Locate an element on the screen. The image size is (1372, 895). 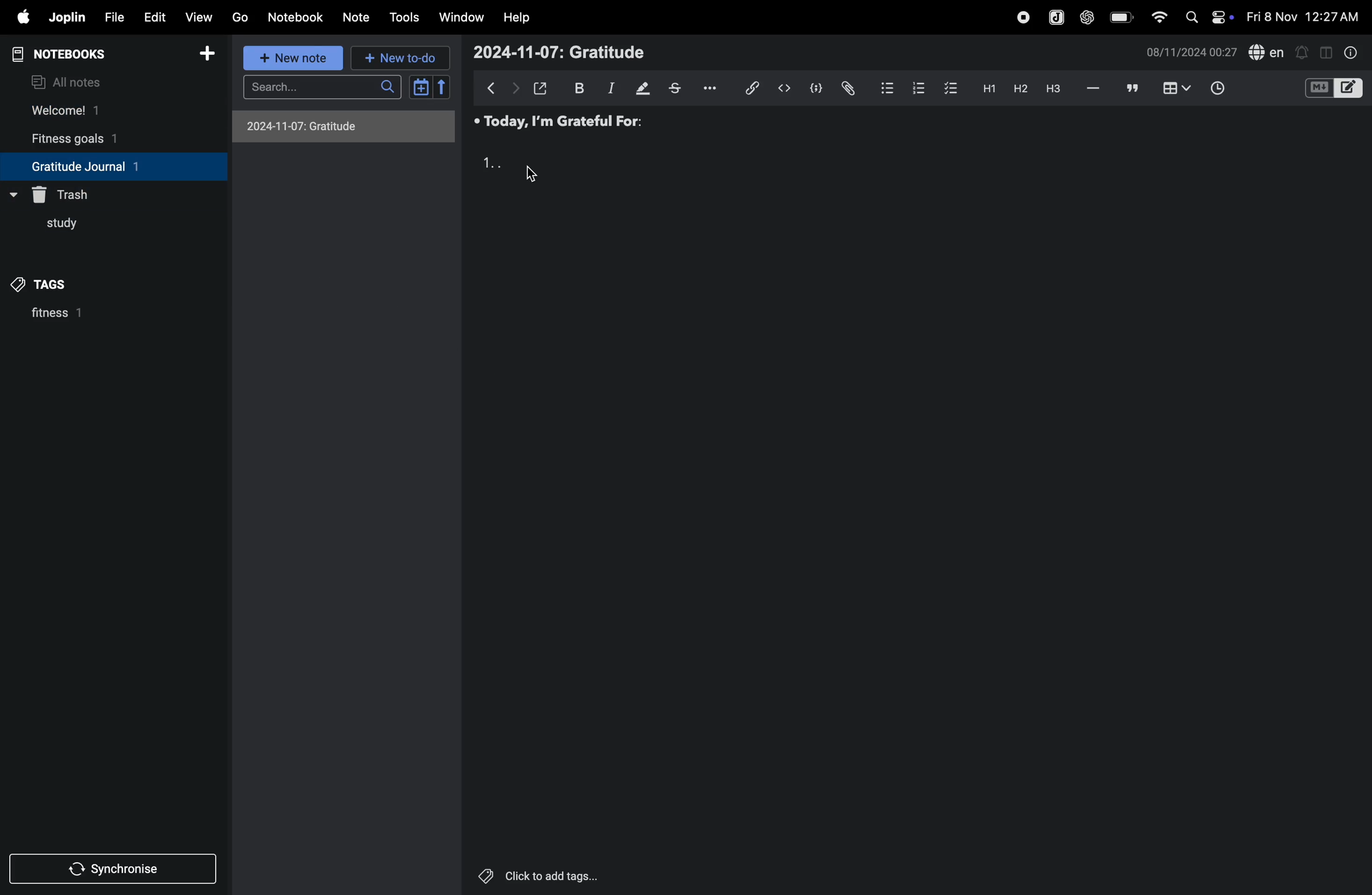
italic is located at coordinates (610, 89).